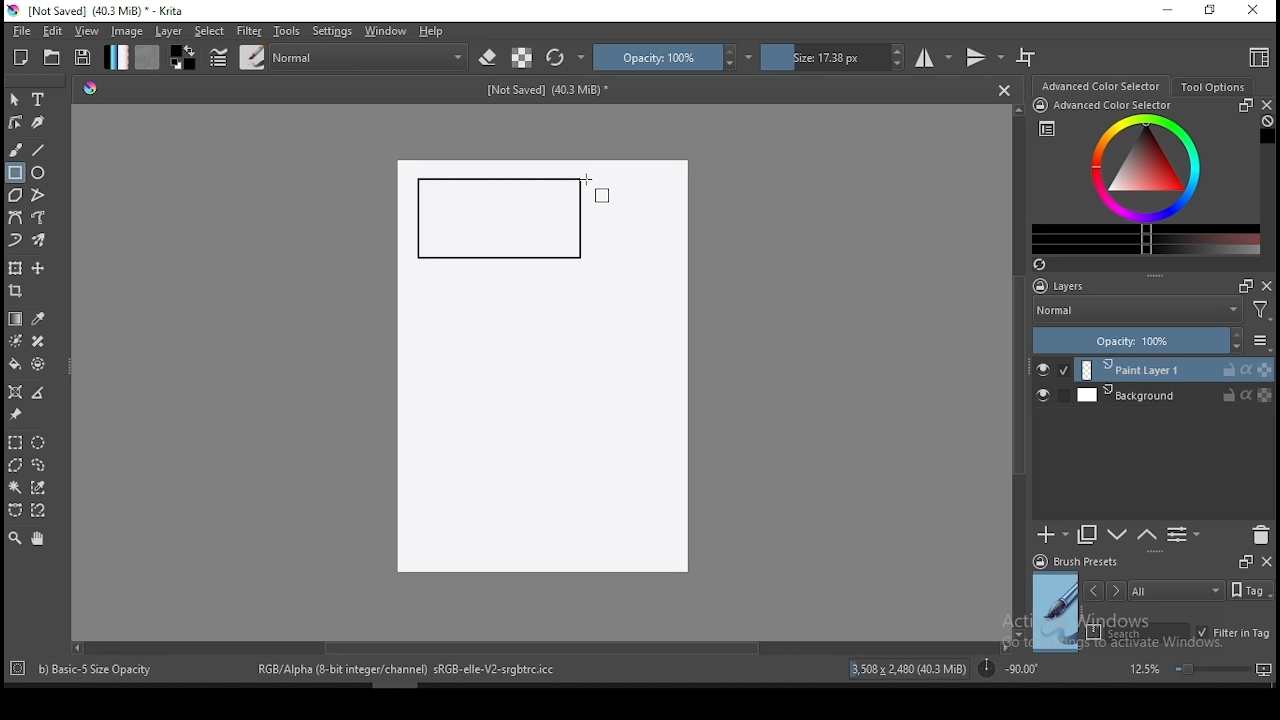 The width and height of the screenshot is (1280, 720). I want to click on brush tool, so click(17, 149).